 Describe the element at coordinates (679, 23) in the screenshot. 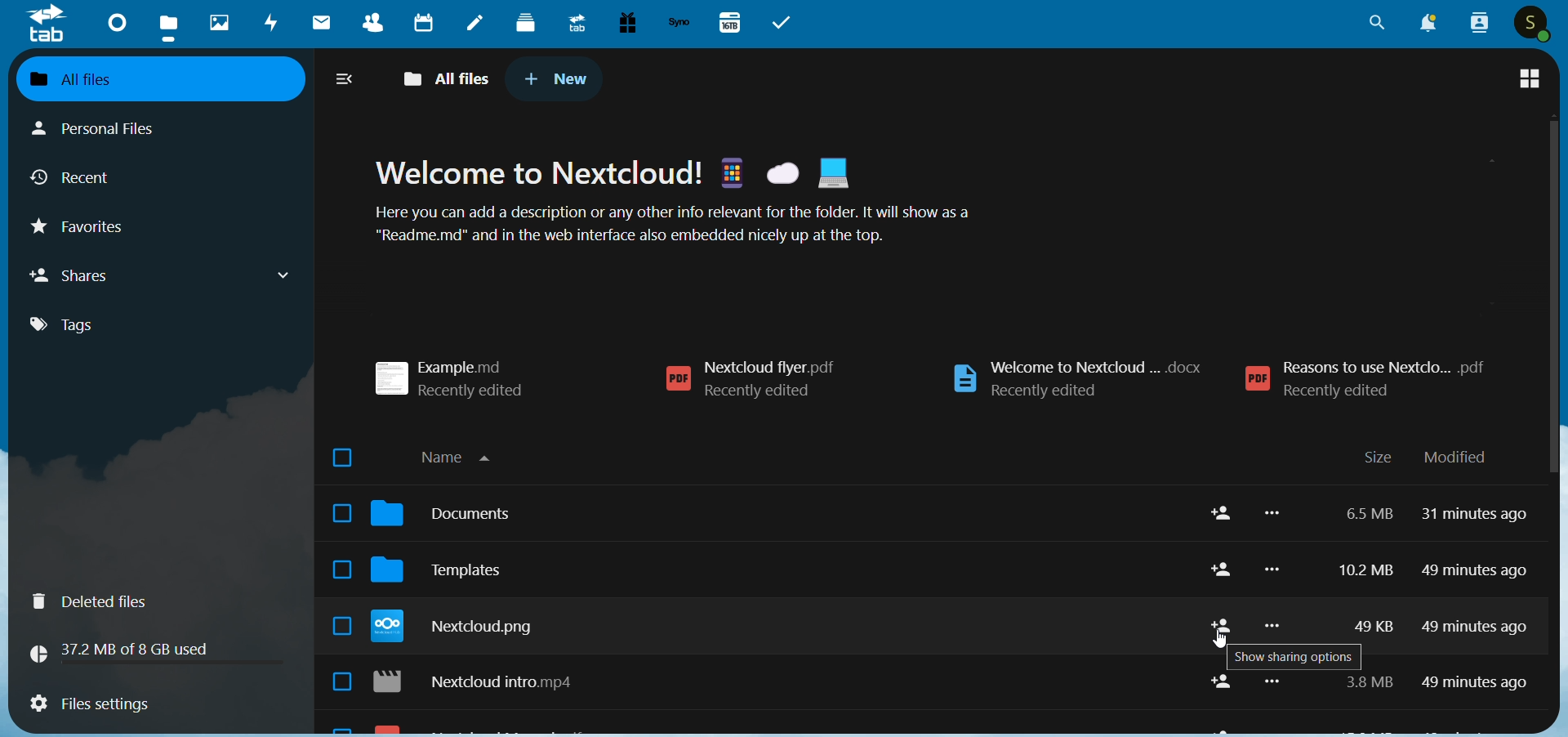

I see `synology` at that location.